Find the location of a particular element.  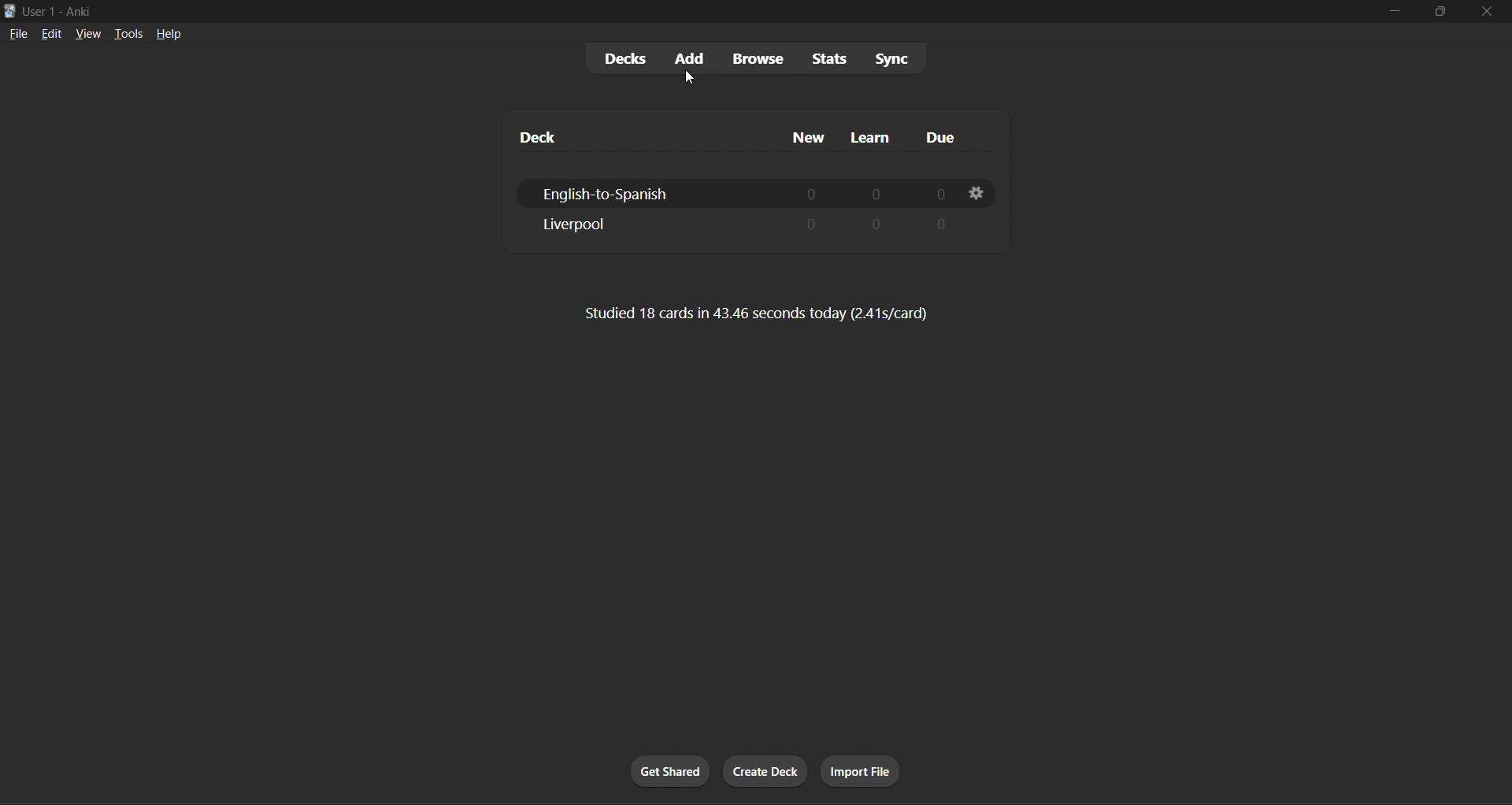

learn column is located at coordinates (876, 135).